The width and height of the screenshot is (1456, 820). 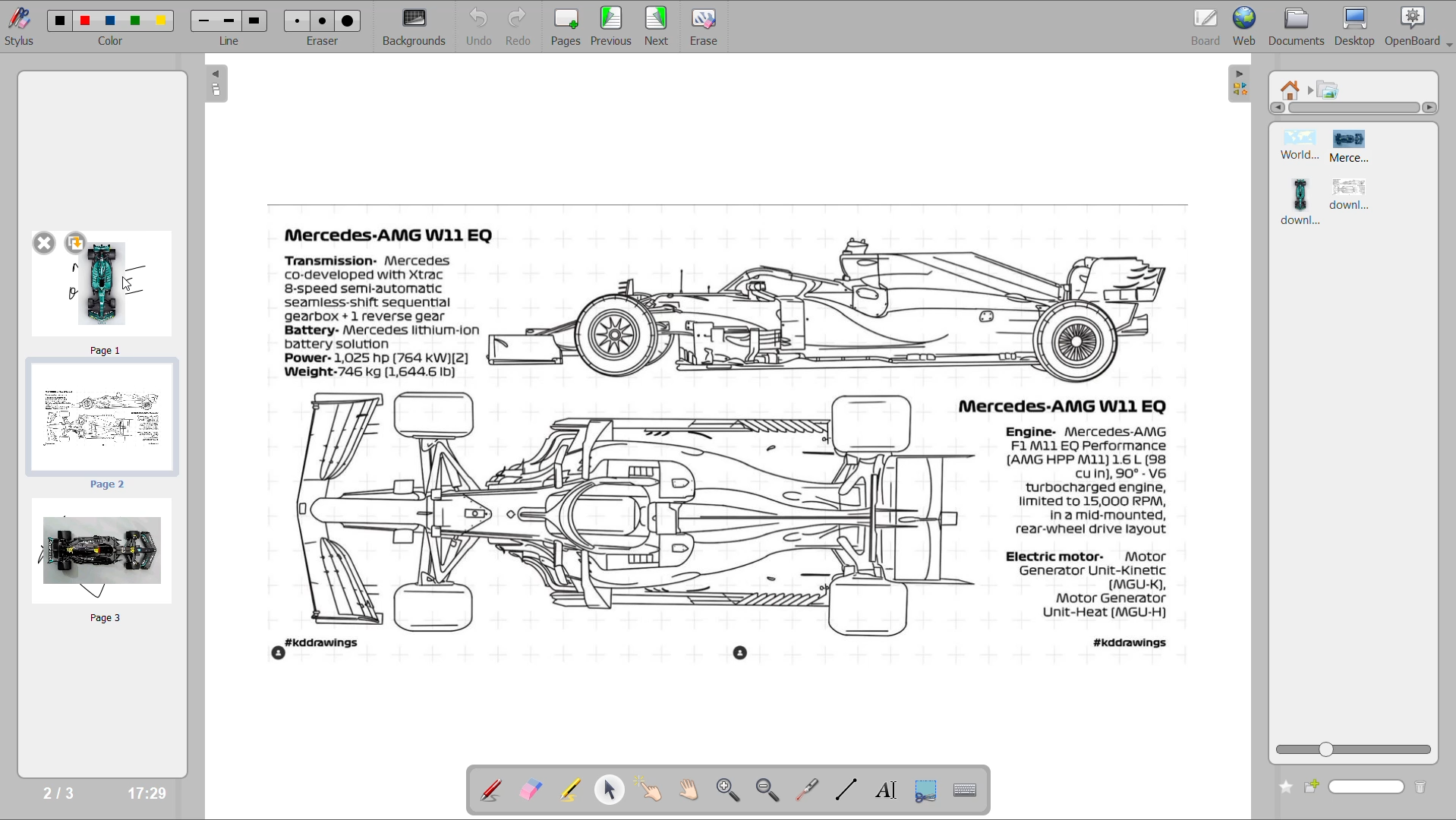 What do you see at coordinates (160, 19) in the screenshot?
I see `color 5` at bounding box center [160, 19].